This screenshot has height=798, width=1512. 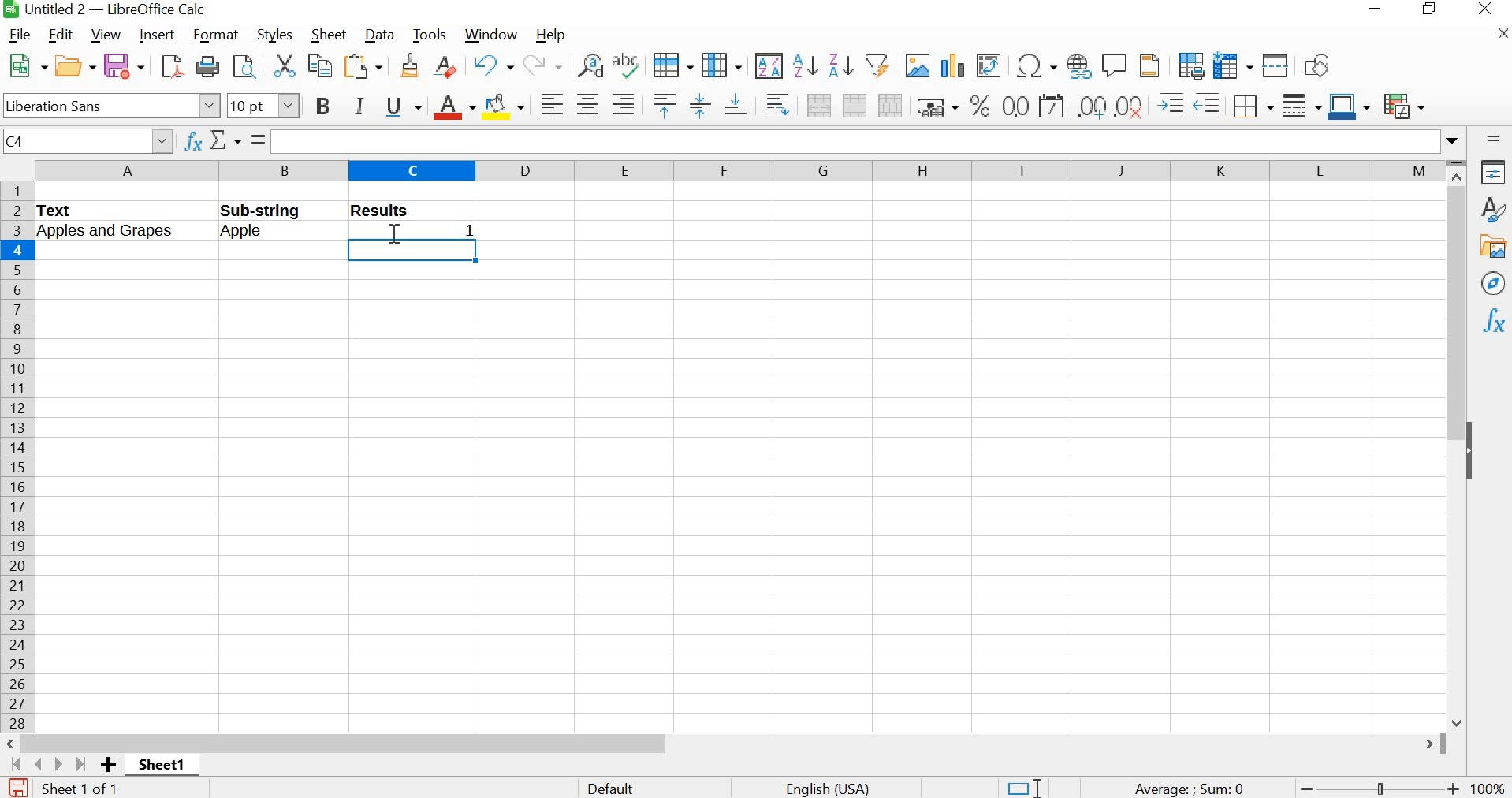 What do you see at coordinates (1186, 789) in the screenshot?
I see `formula` at bounding box center [1186, 789].